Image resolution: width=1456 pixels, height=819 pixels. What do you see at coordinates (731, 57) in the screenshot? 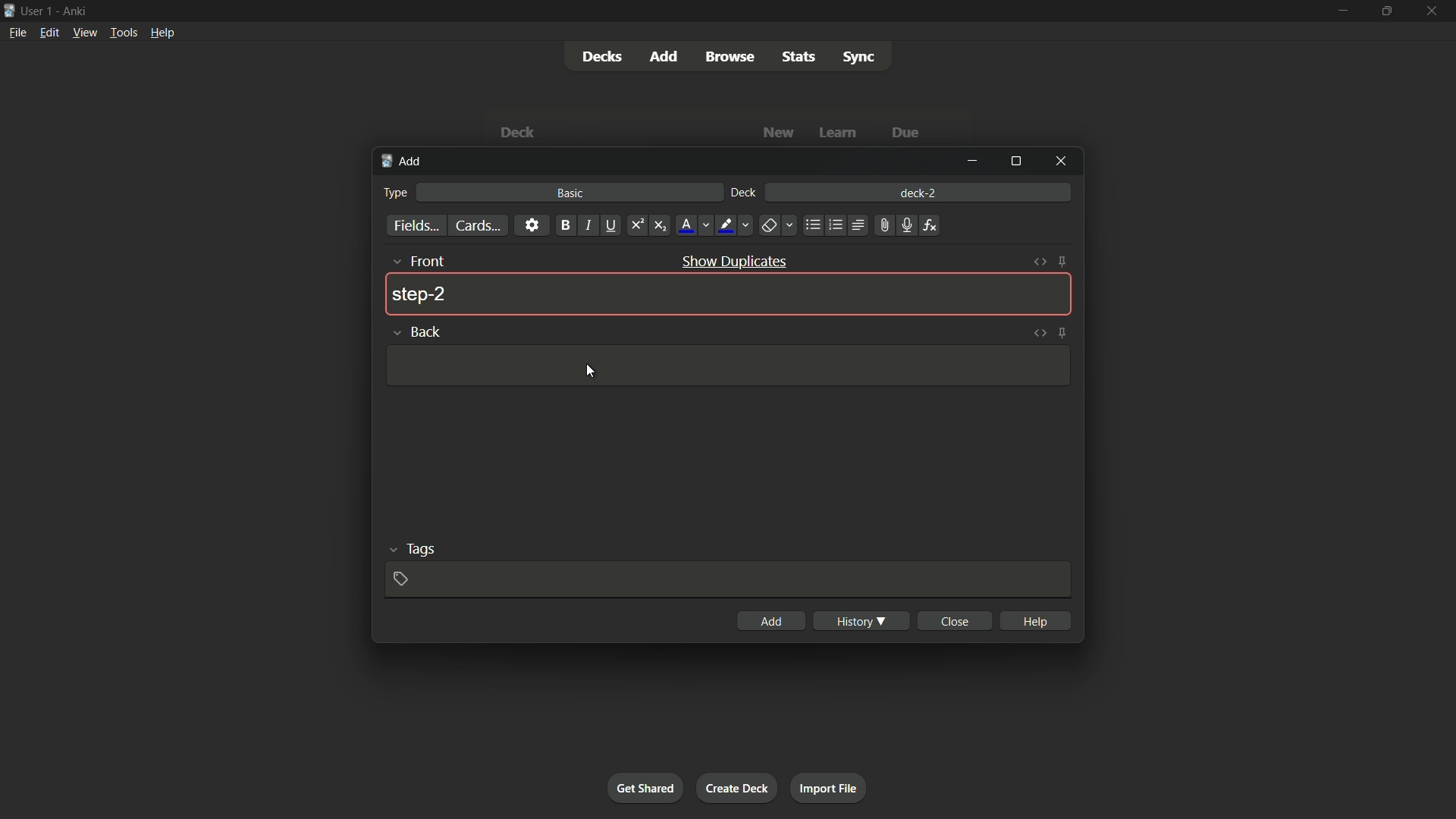
I see `browse` at bounding box center [731, 57].